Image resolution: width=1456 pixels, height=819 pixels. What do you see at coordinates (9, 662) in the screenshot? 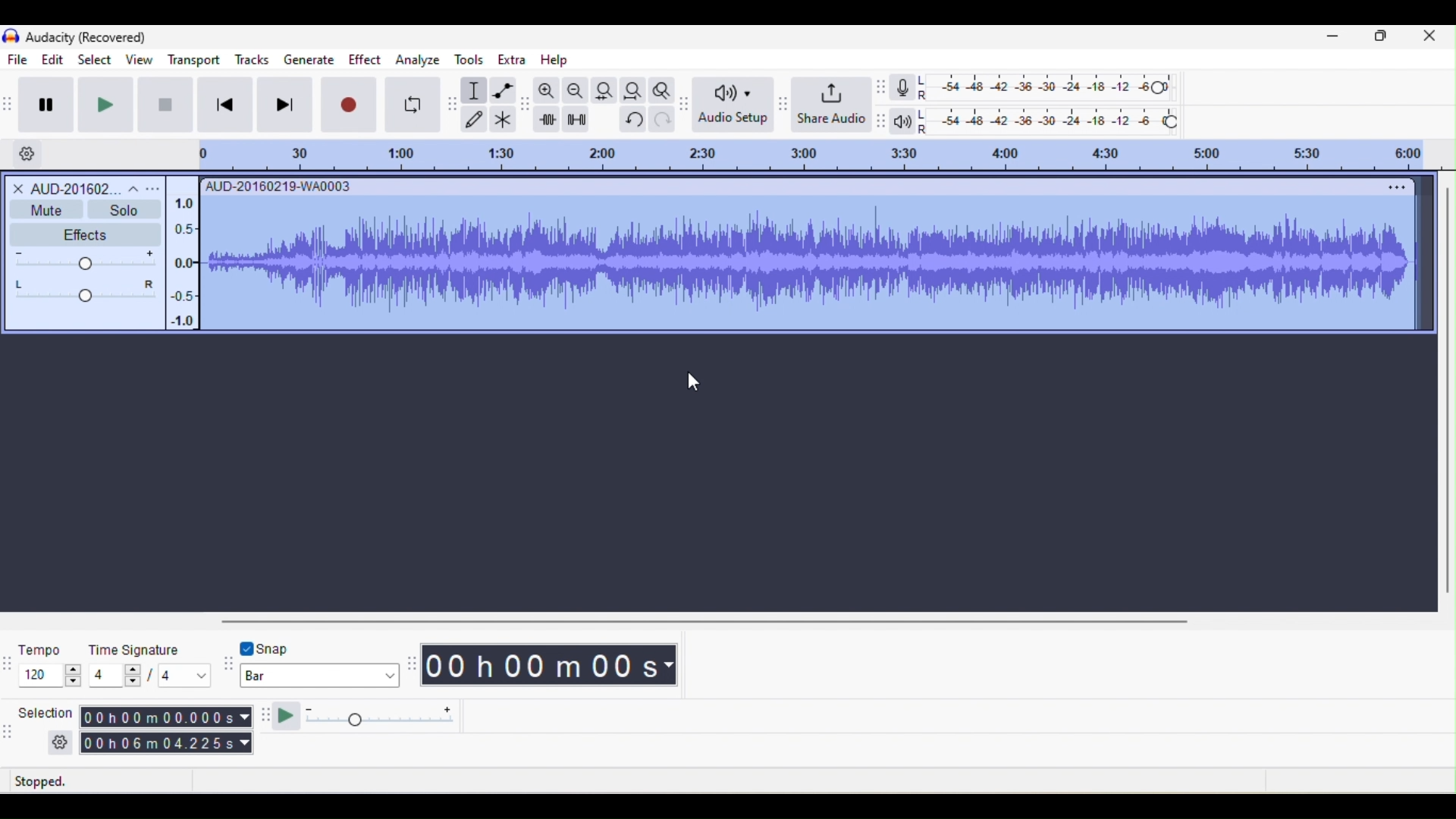
I see `audacity time signature toolbar` at bounding box center [9, 662].